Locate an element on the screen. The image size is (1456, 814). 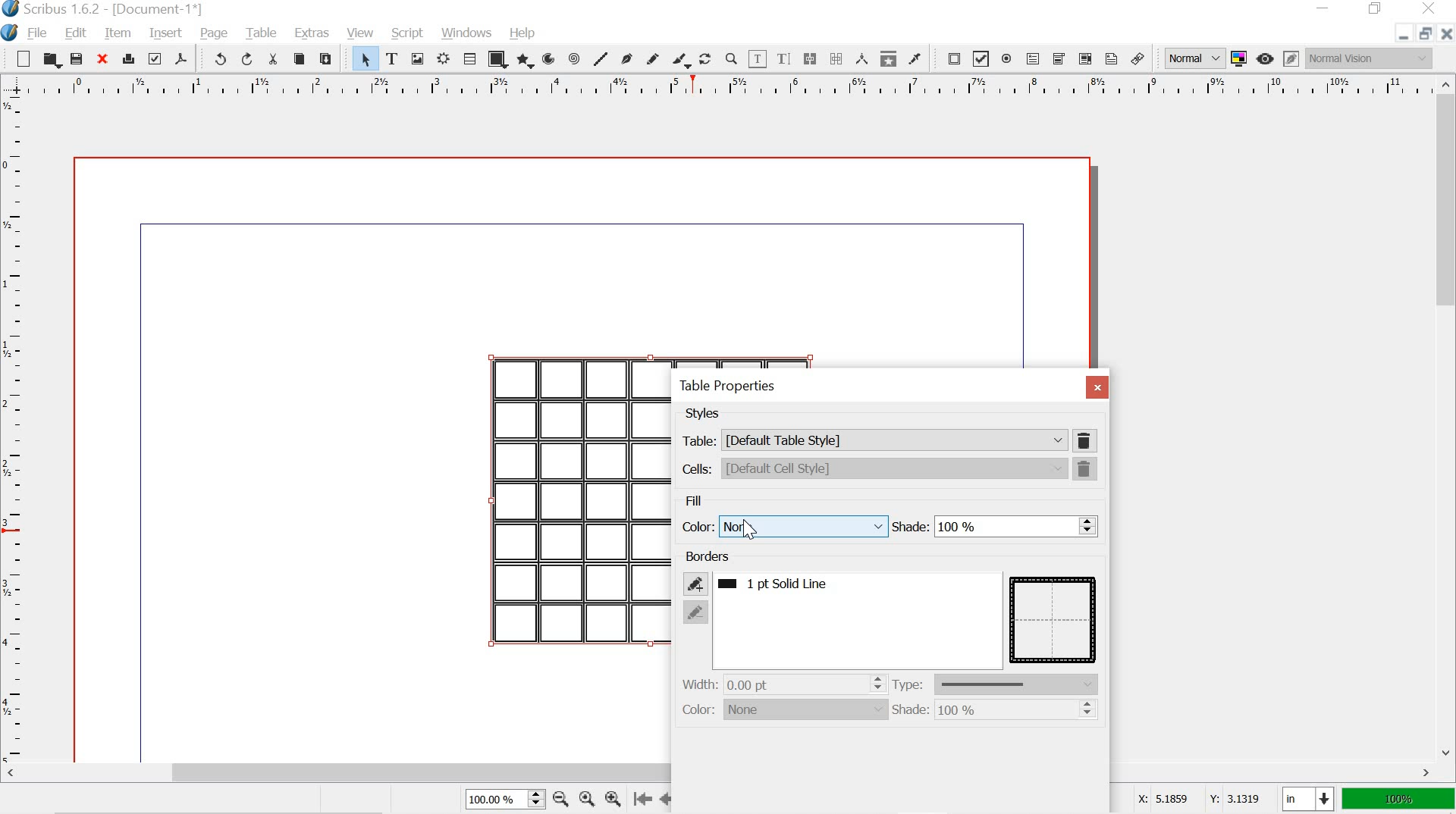
100% is located at coordinates (1396, 800).